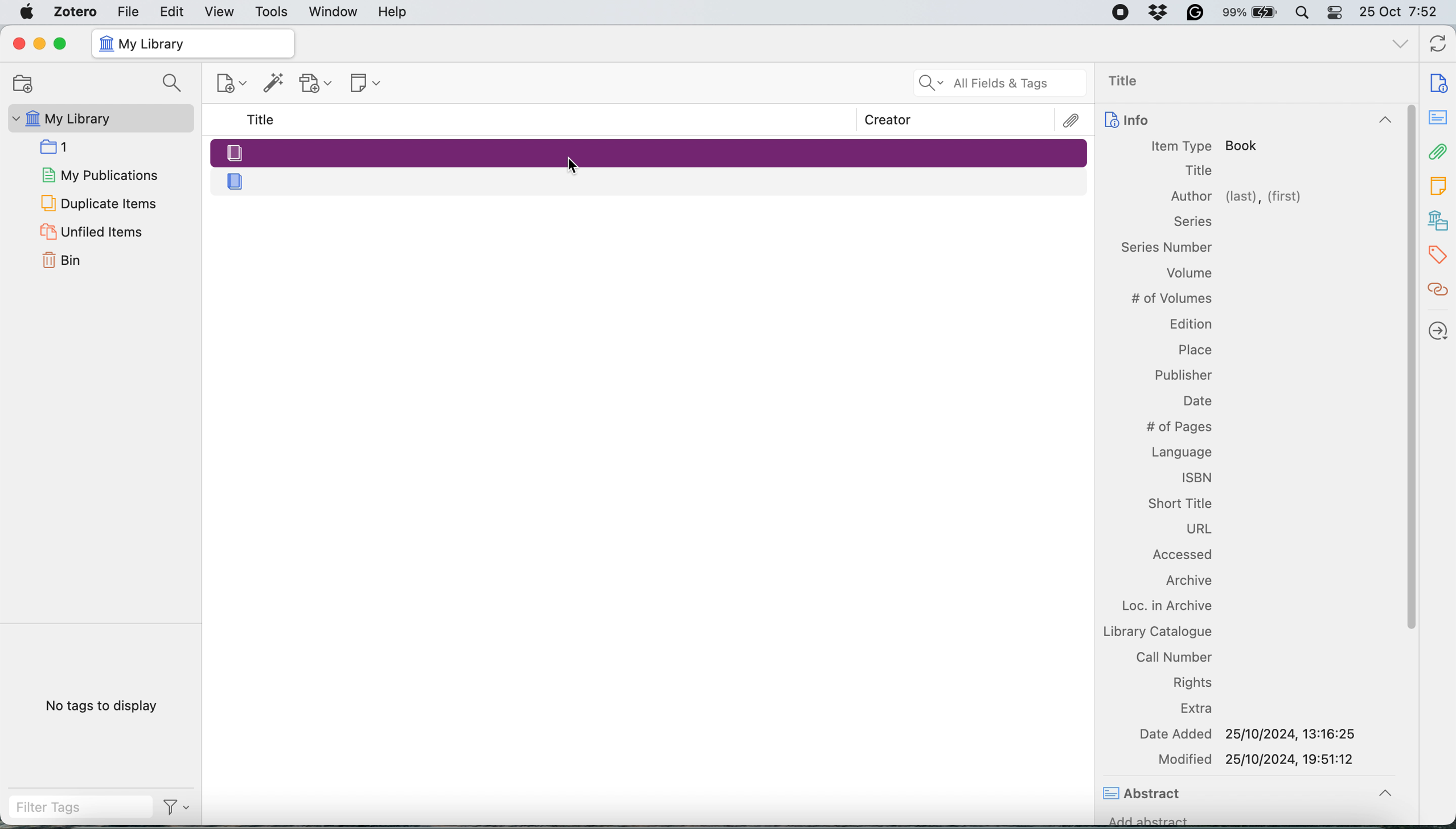 The height and width of the screenshot is (829, 1456). Describe the element at coordinates (1439, 151) in the screenshot. I see `Attachment` at that location.